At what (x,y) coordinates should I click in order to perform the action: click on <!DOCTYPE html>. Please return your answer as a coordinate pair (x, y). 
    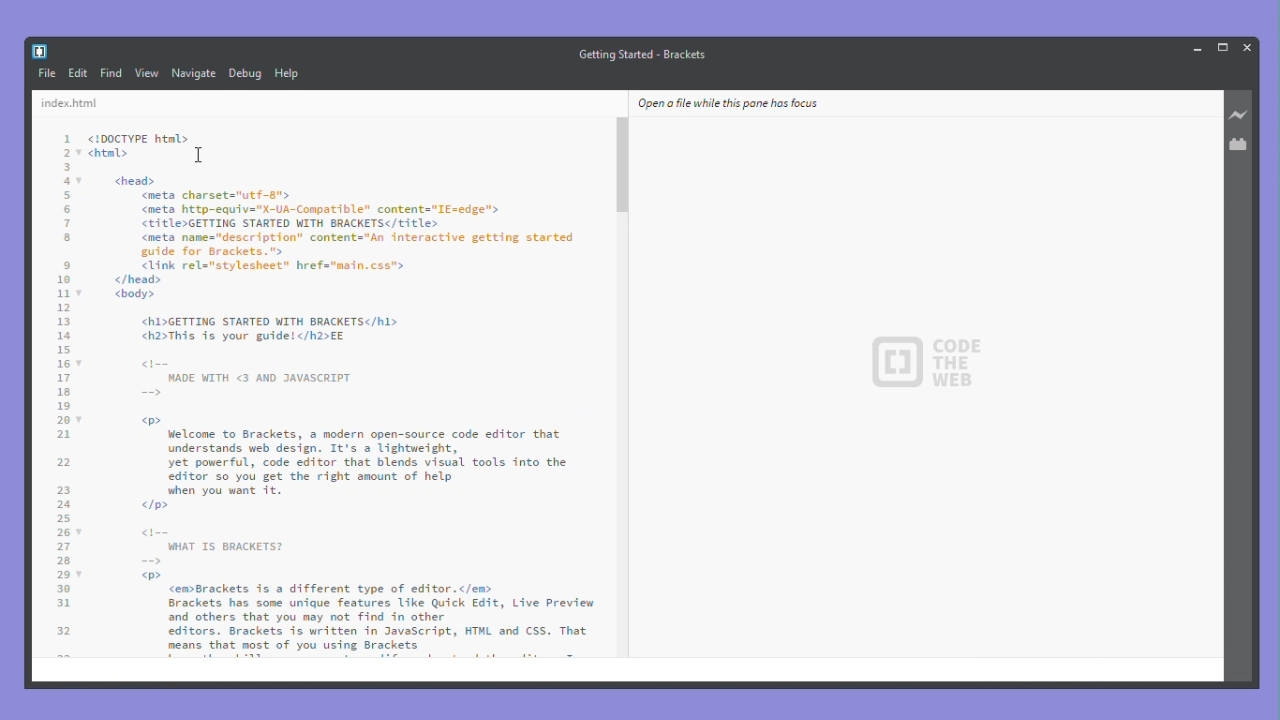
    Looking at the image, I should click on (137, 138).